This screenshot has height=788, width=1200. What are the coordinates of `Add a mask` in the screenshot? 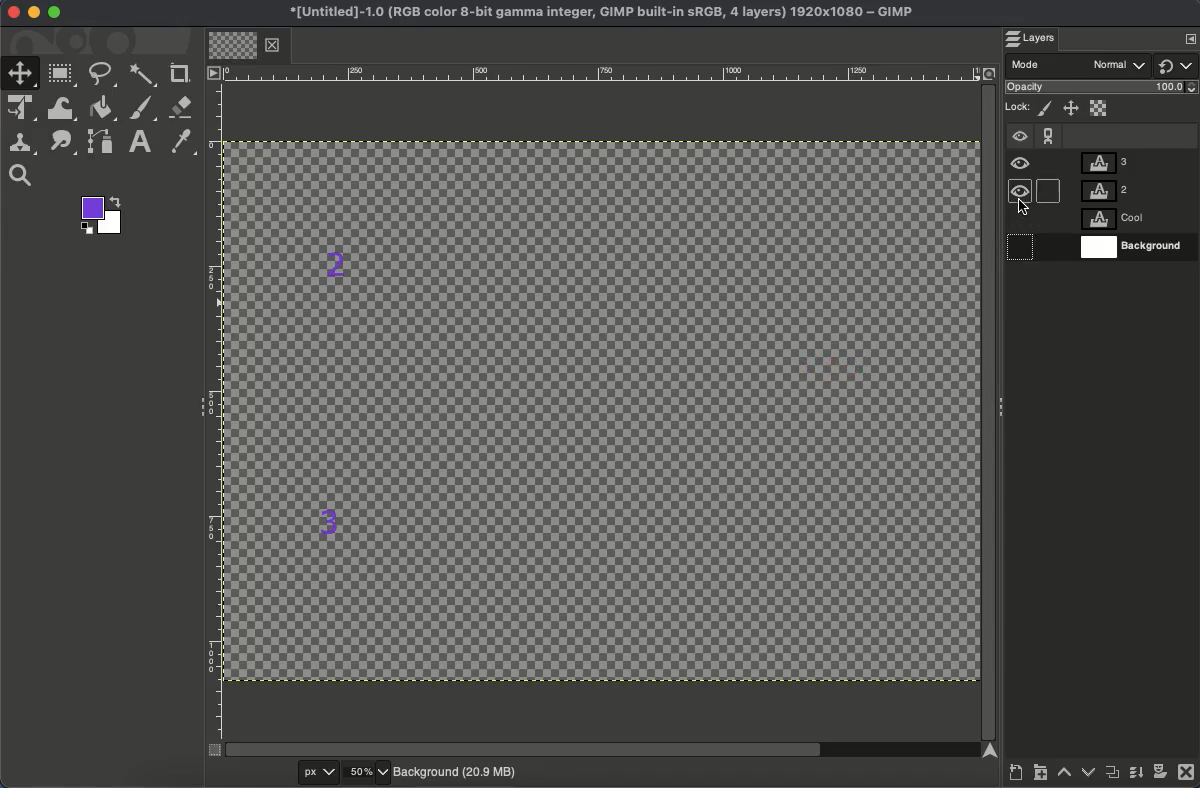 It's located at (1160, 775).